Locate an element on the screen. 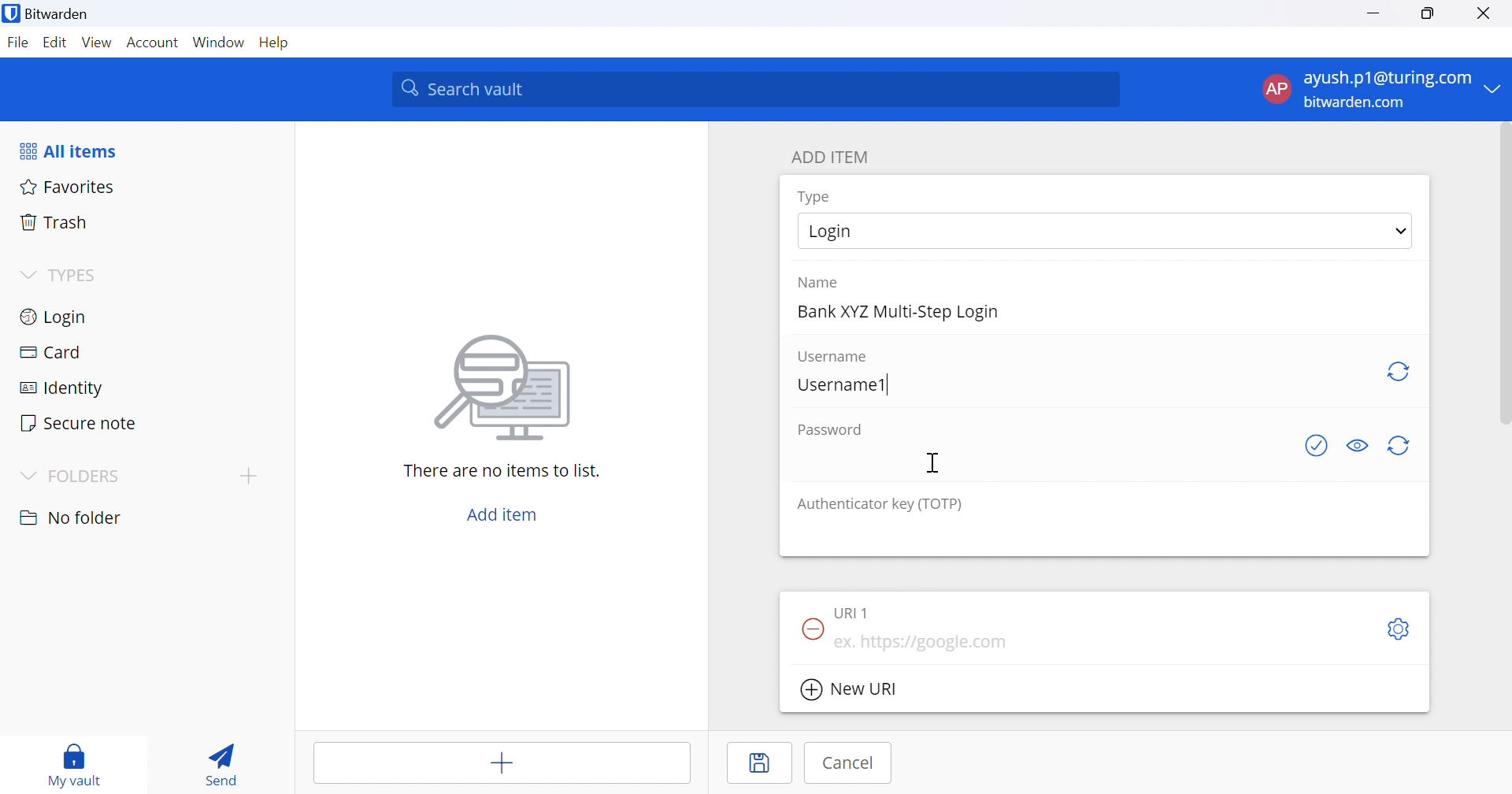  Drop Down is located at coordinates (29, 475).